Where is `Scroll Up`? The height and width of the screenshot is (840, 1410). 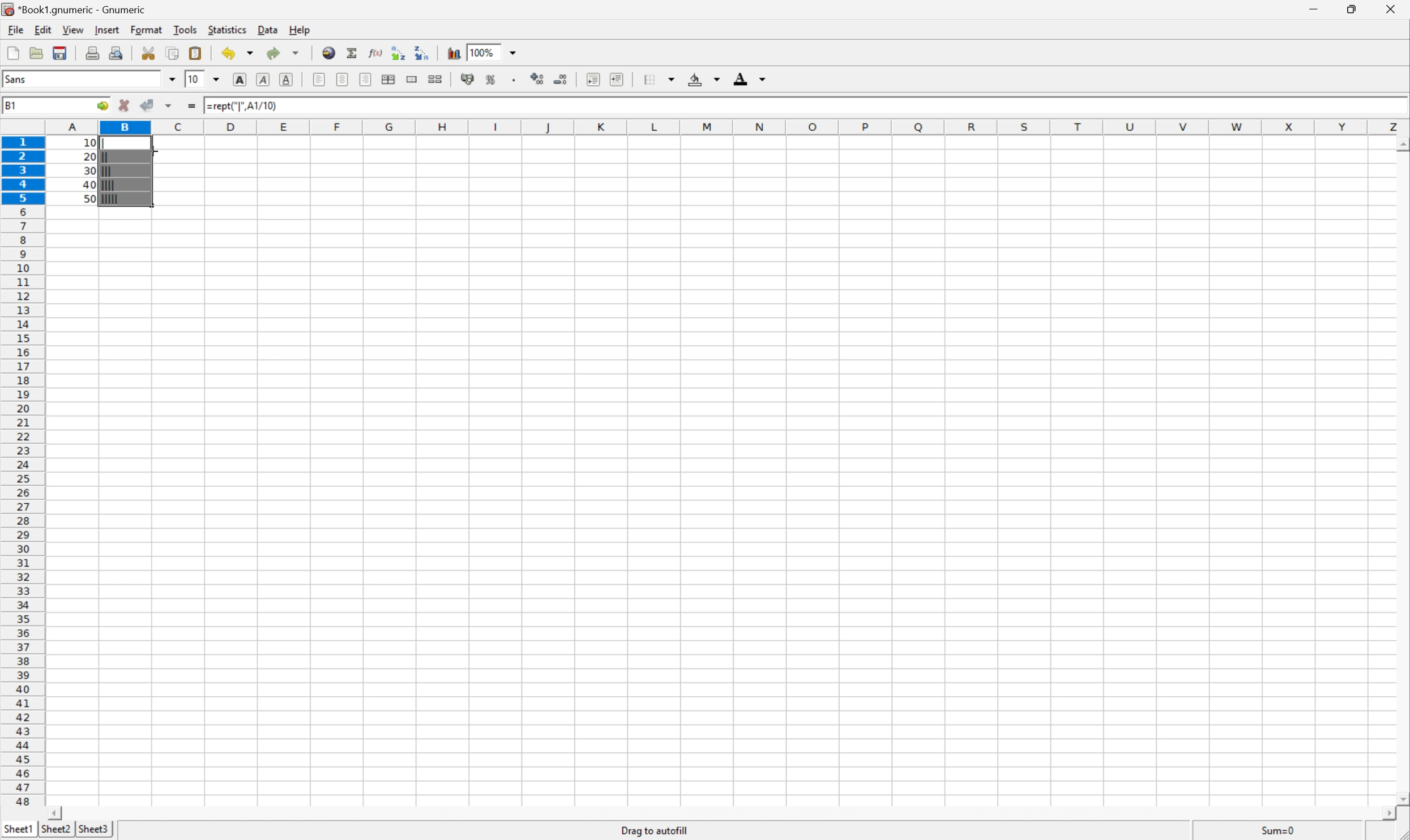 Scroll Up is located at coordinates (1401, 144).